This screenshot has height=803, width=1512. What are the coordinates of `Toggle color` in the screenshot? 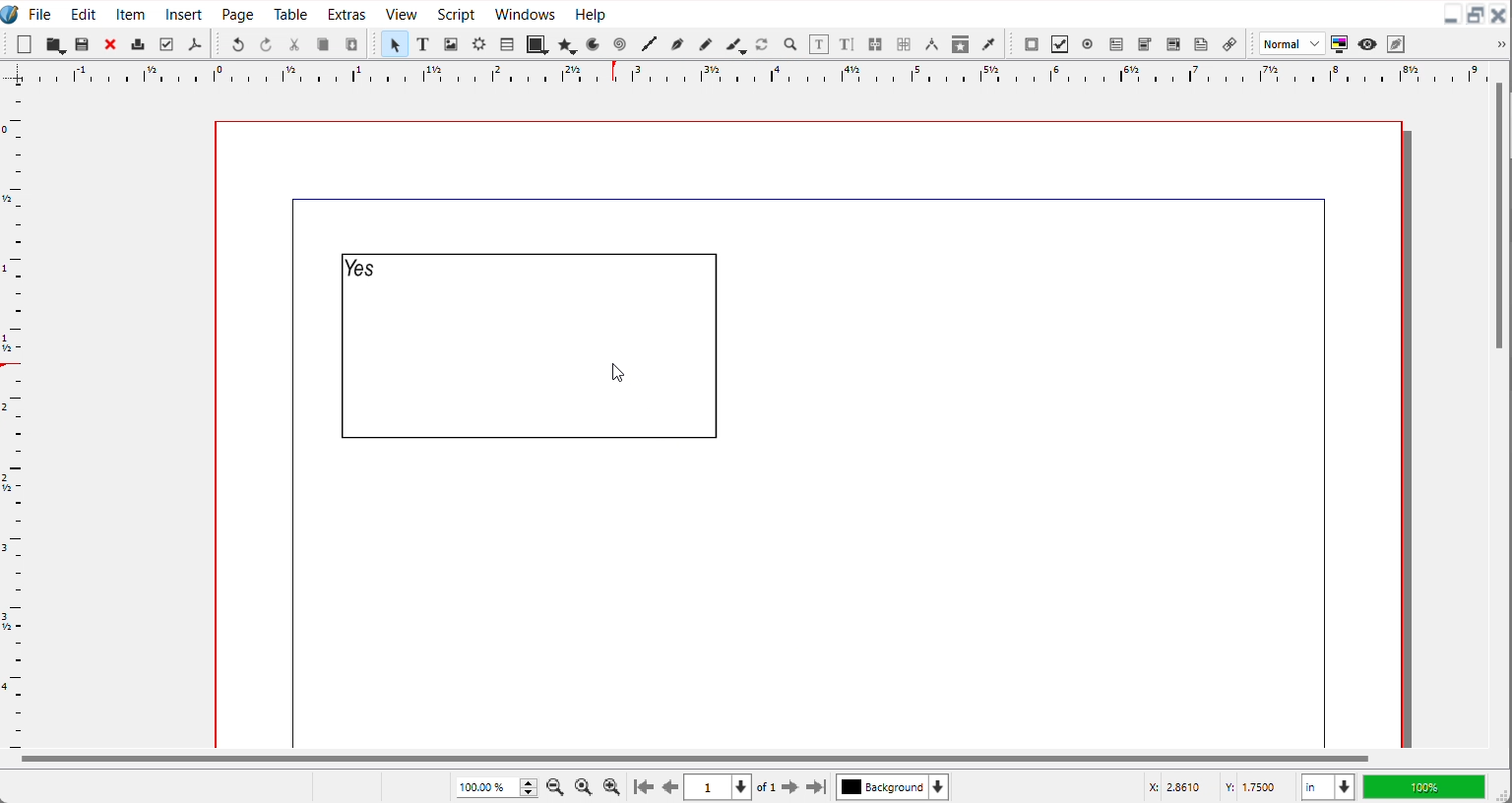 It's located at (1341, 44).